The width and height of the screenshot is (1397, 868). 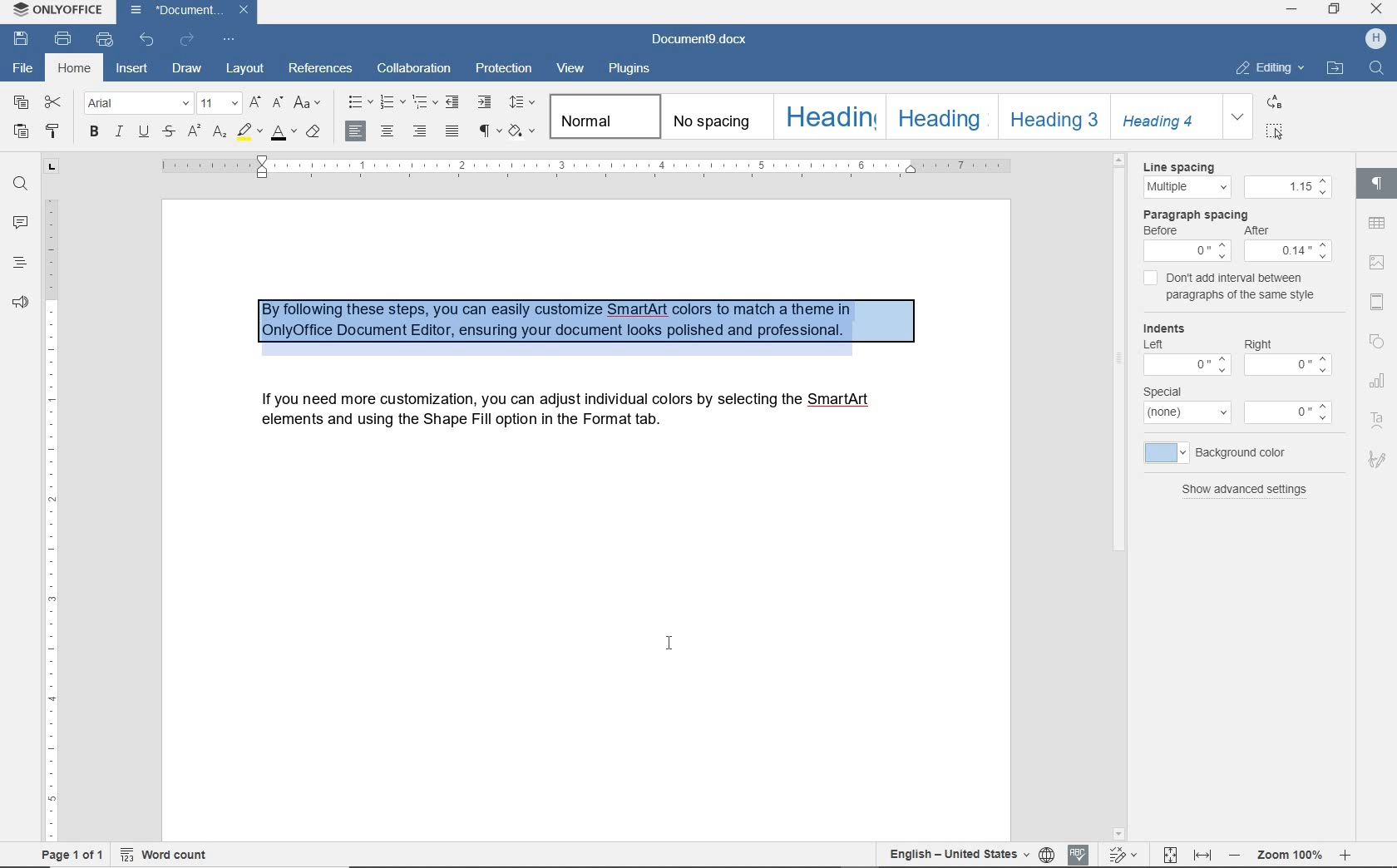 I want to click on scrollbar, so click(x=1123, y=496).